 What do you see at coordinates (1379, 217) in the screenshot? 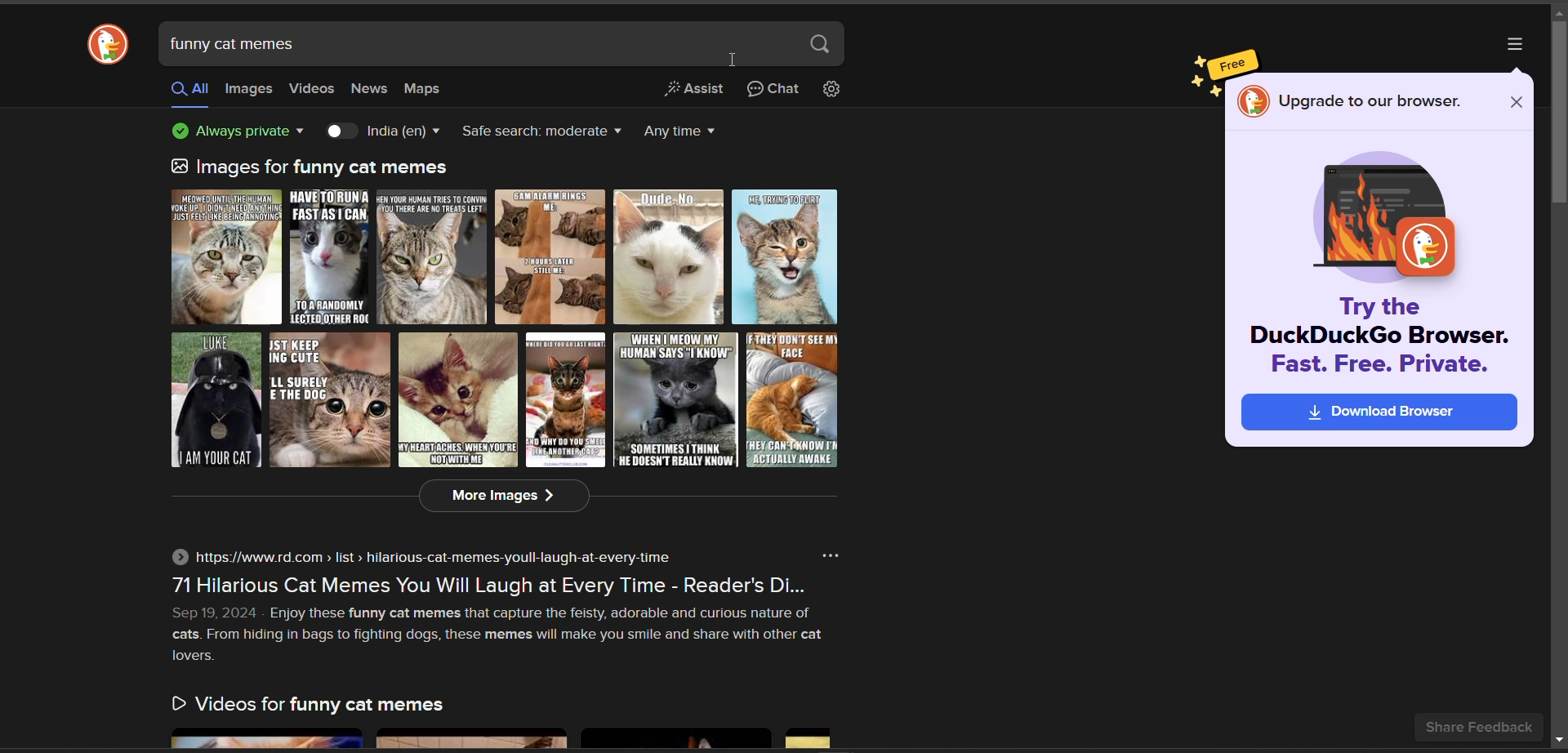
I see `image` at bounding box center [1379, 217].